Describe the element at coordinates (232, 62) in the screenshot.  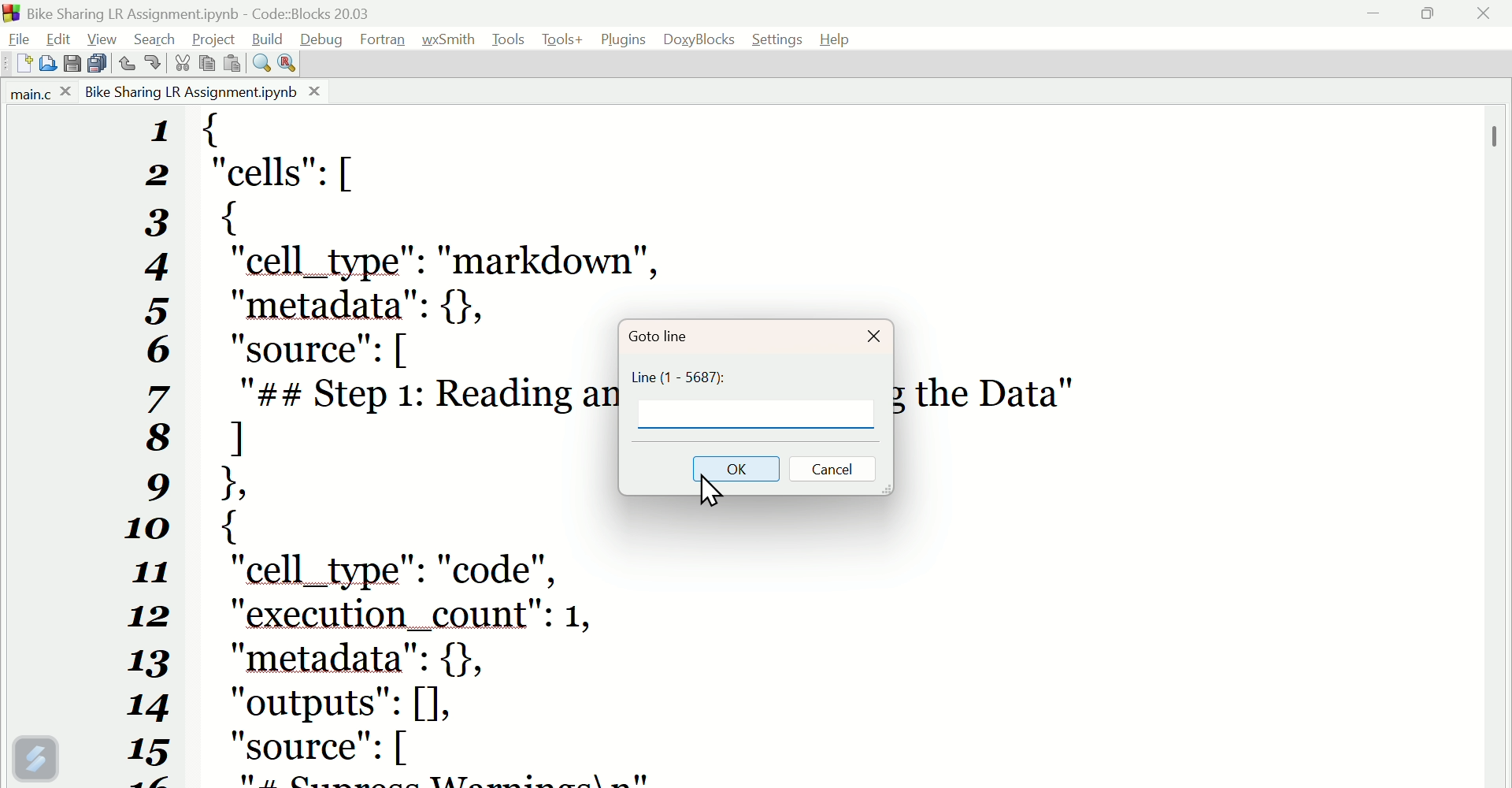
I see `Paste` at that location.